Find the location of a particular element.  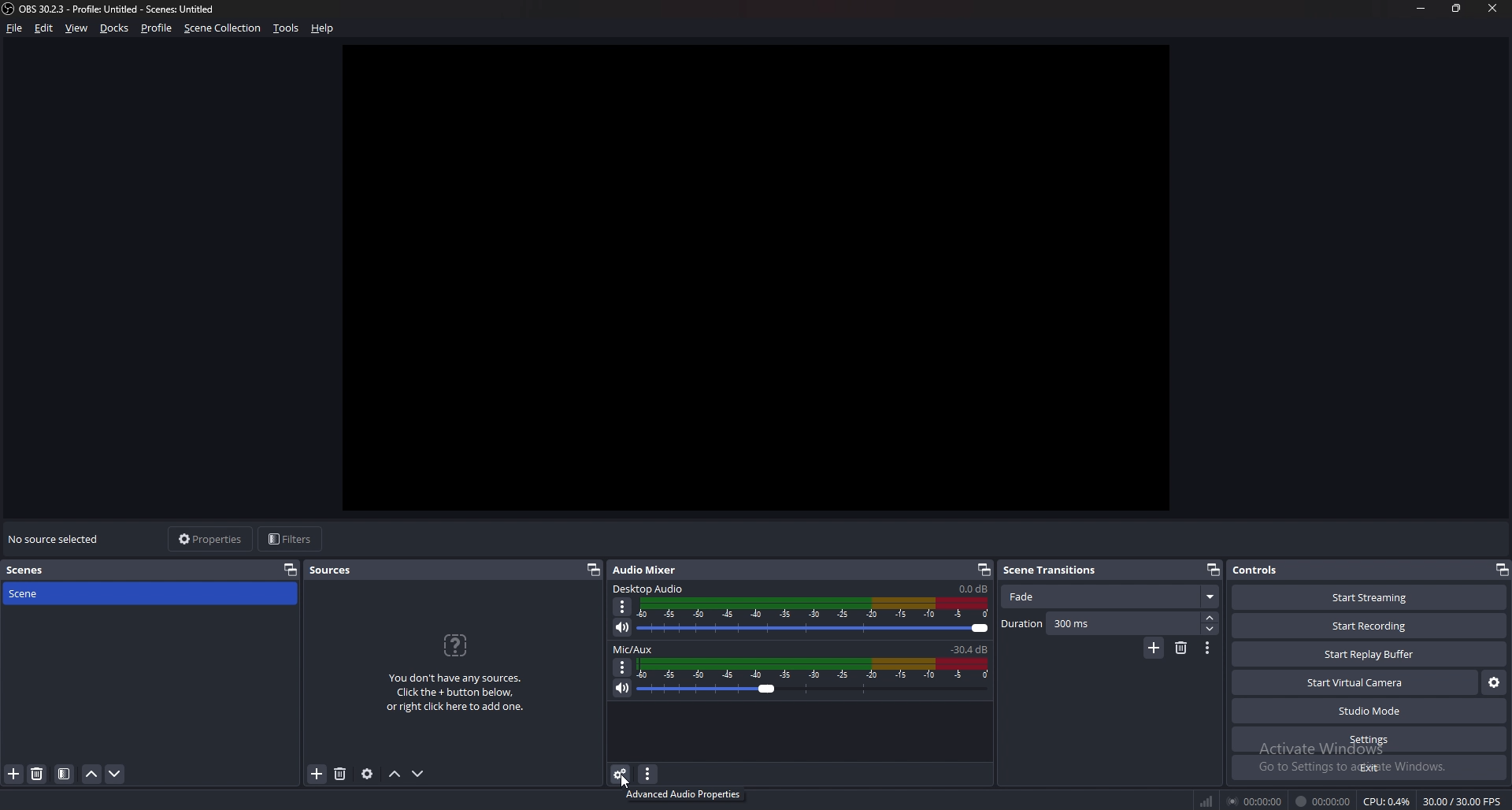

tools is located at coordinates (287, 28).